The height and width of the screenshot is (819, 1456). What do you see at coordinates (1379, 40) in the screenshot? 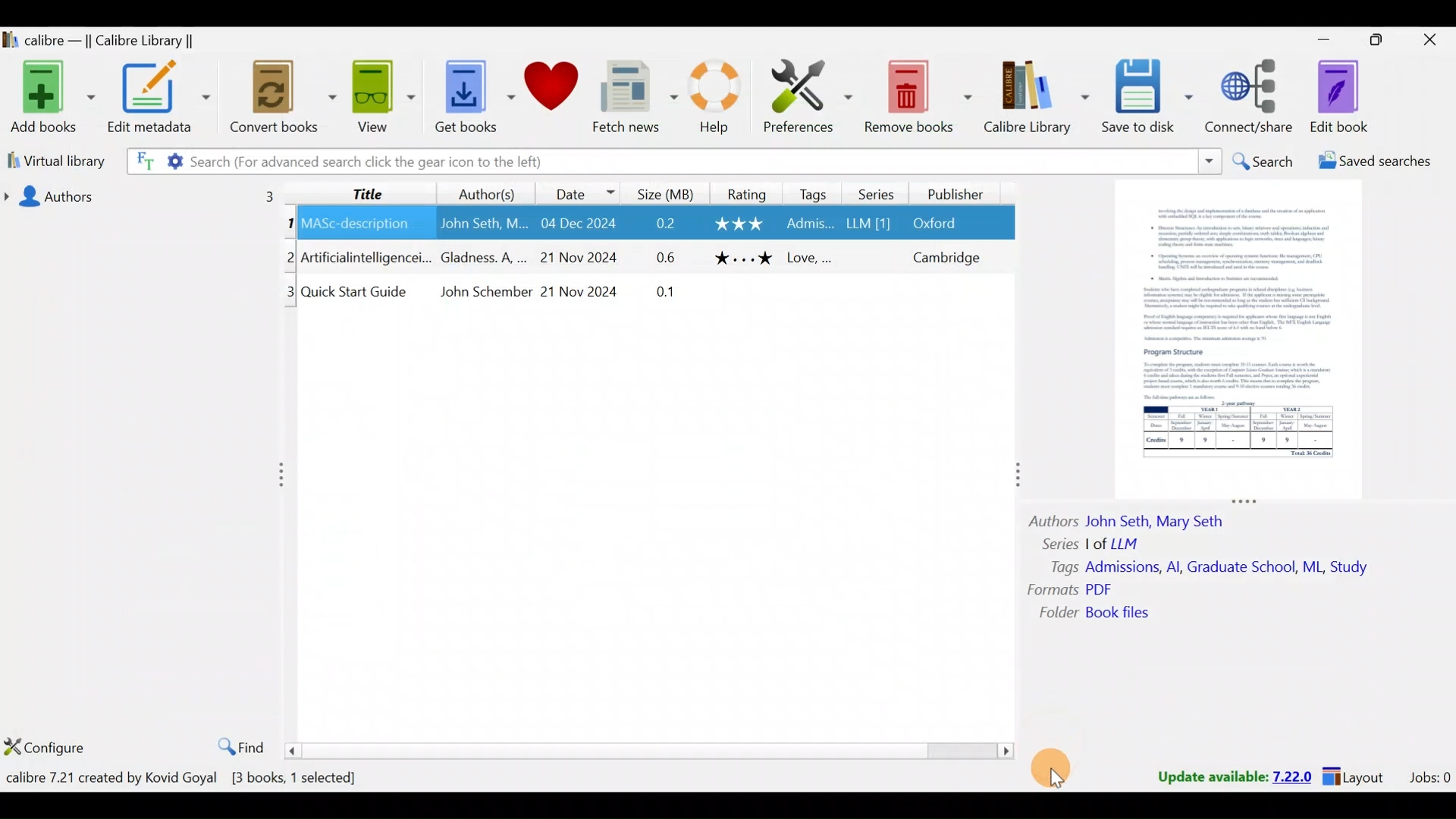
I see `Maximise` at bounding box center [1379, 40].